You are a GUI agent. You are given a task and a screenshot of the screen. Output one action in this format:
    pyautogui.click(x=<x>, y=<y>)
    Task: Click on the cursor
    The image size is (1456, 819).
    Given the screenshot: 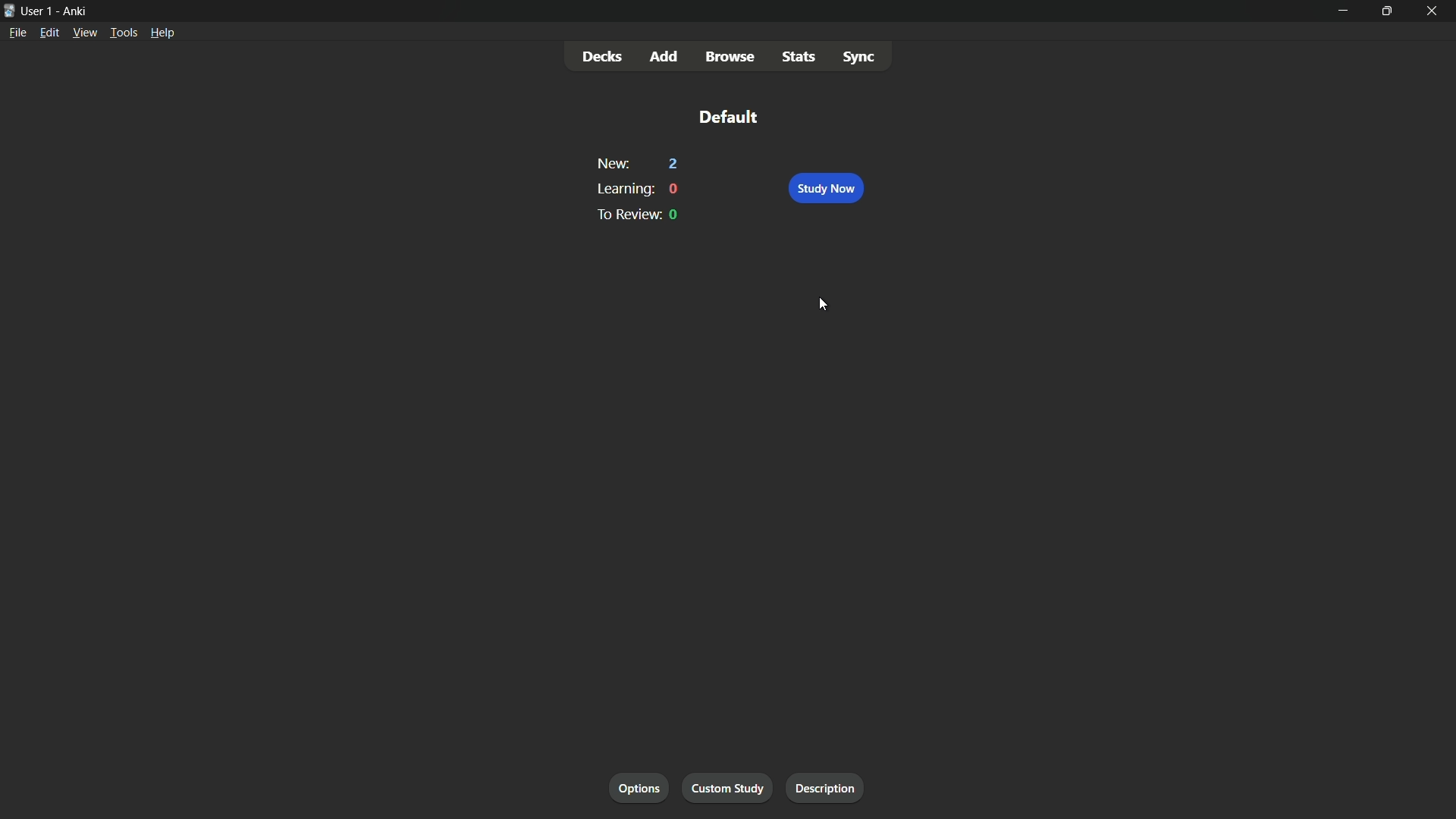 What is the action you would take?
    pyautogui.click(x=823, y=304)
    